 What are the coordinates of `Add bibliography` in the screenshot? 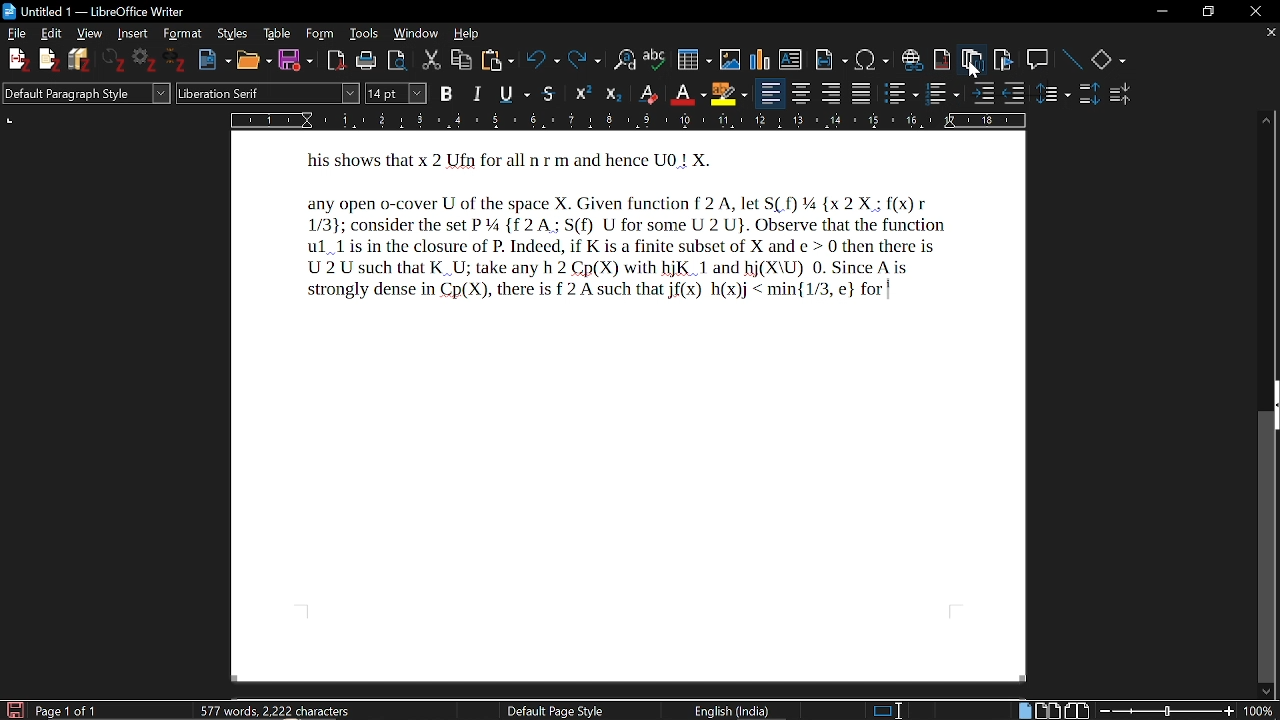 It's located at (82, 59).